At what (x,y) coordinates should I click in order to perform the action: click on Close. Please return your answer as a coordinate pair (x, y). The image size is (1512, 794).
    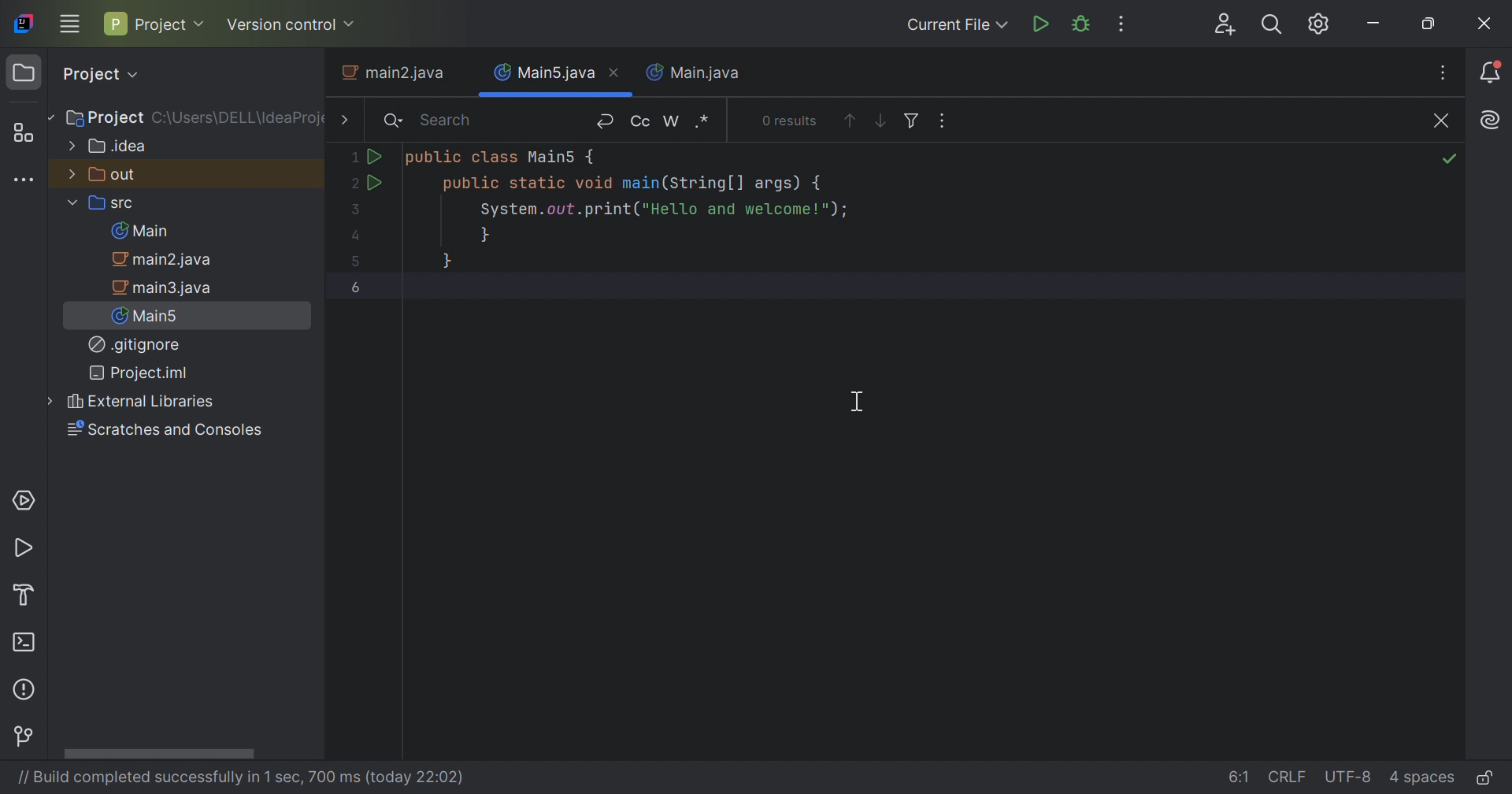
    Looking at the image, I should click on (617, 72).